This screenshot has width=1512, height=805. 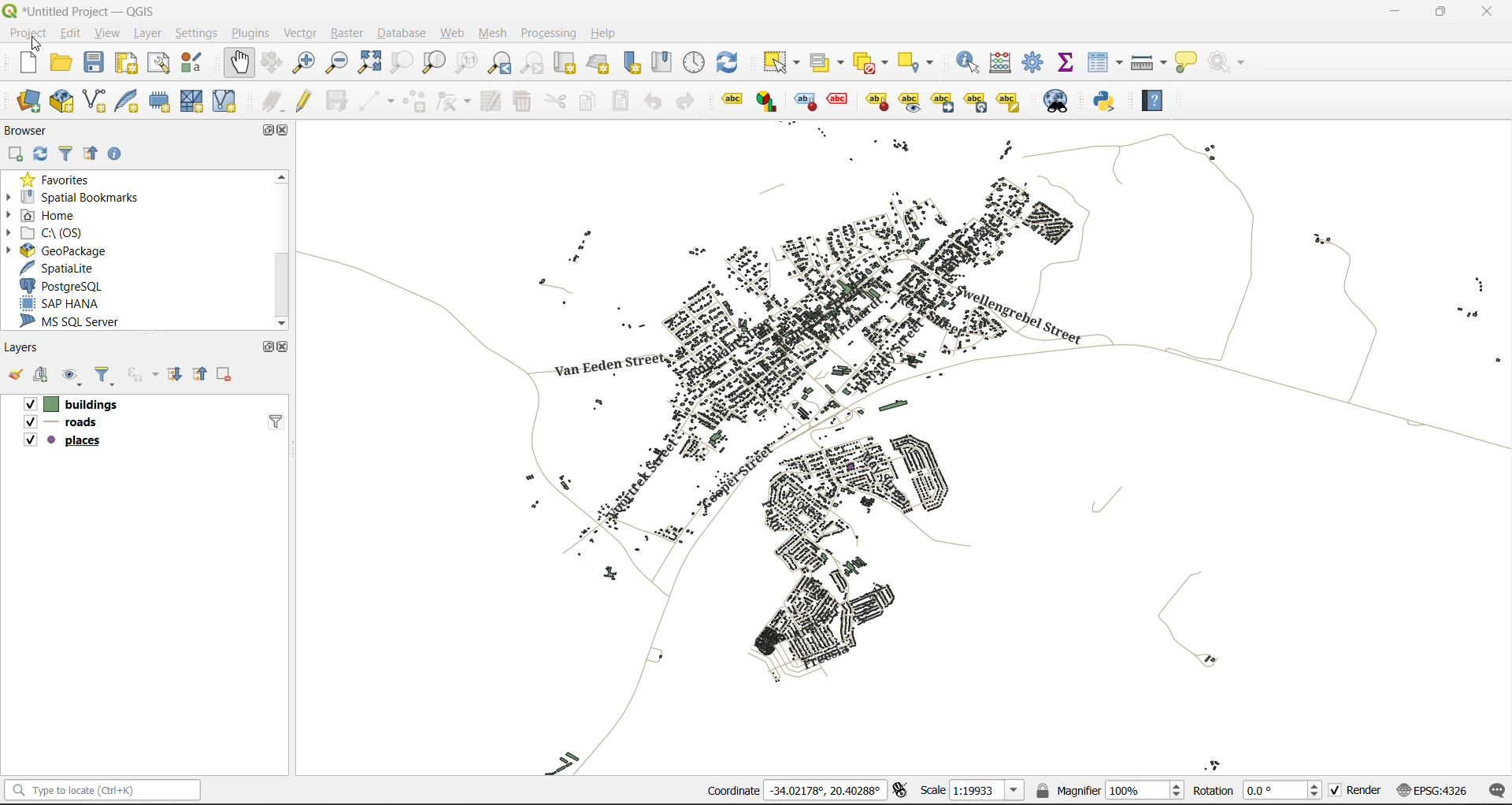 What do you see at coordinates (969, 61) in the screenshot?
I see `identify features` at bounding box center [969, 61].